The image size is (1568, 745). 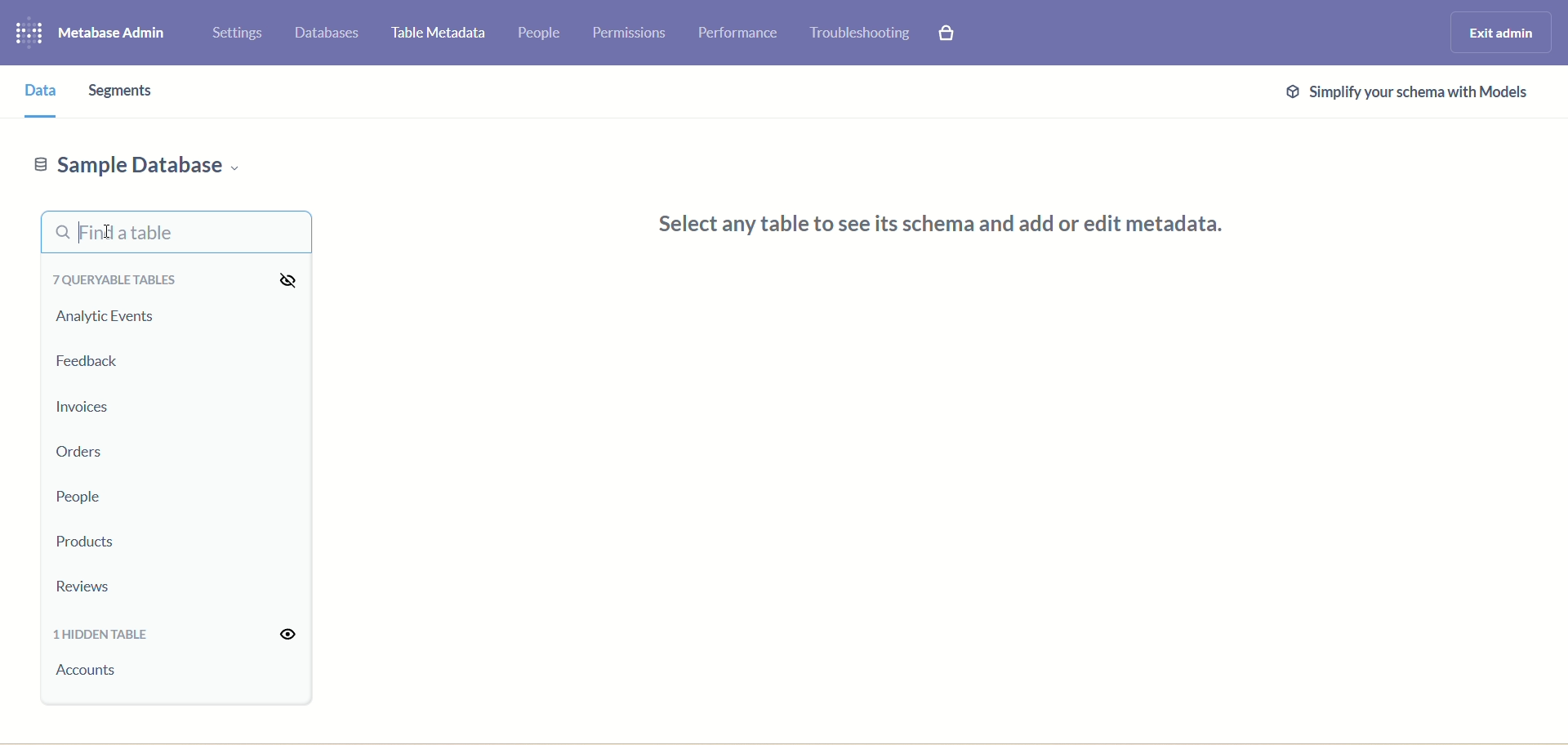 What do you see at coordinates (131, 166) in the screenshot?
I see `sample database` at bounding box center [131, 166].